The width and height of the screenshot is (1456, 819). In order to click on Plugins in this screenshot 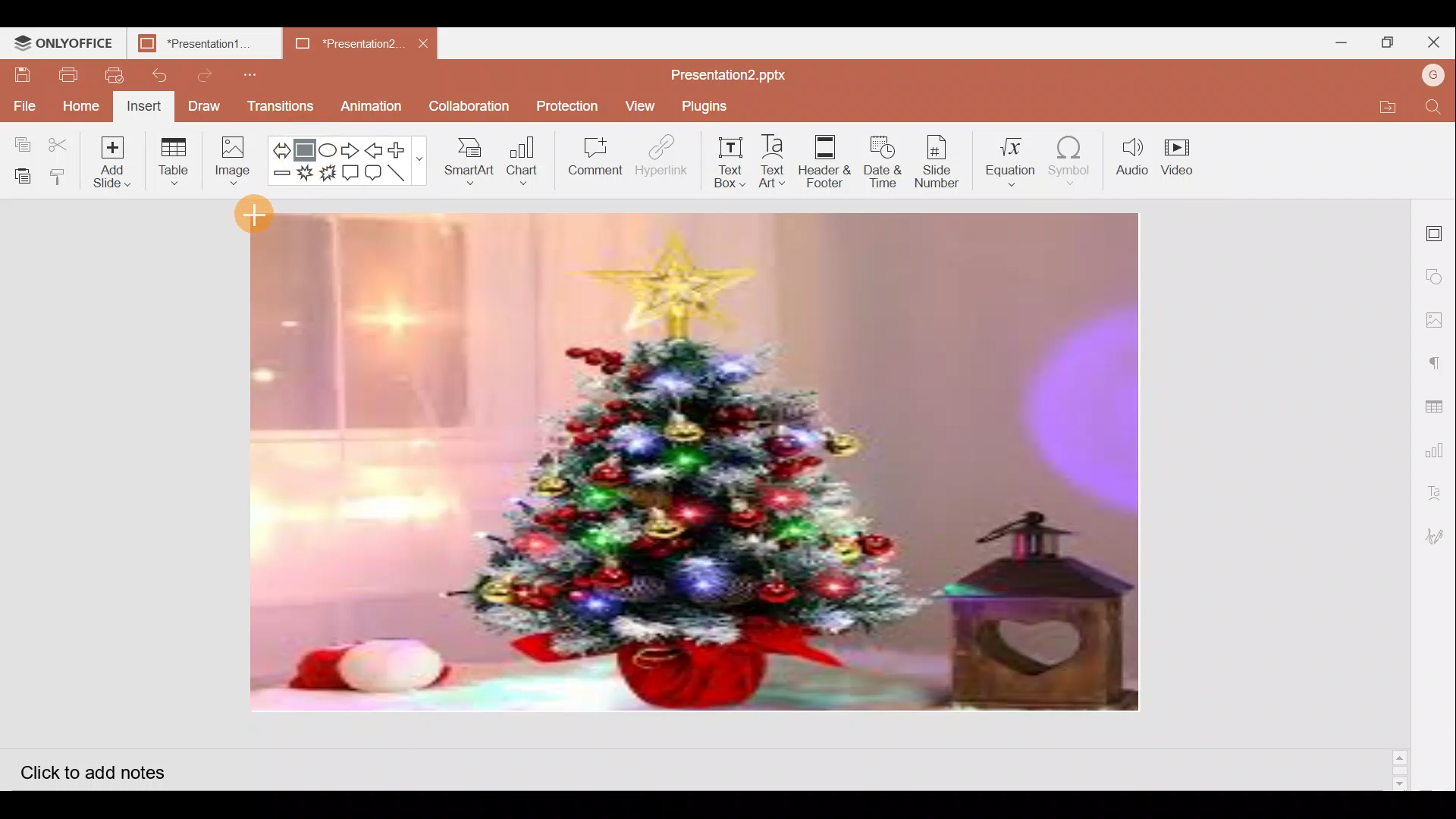, I will do `click(710, 106)`.